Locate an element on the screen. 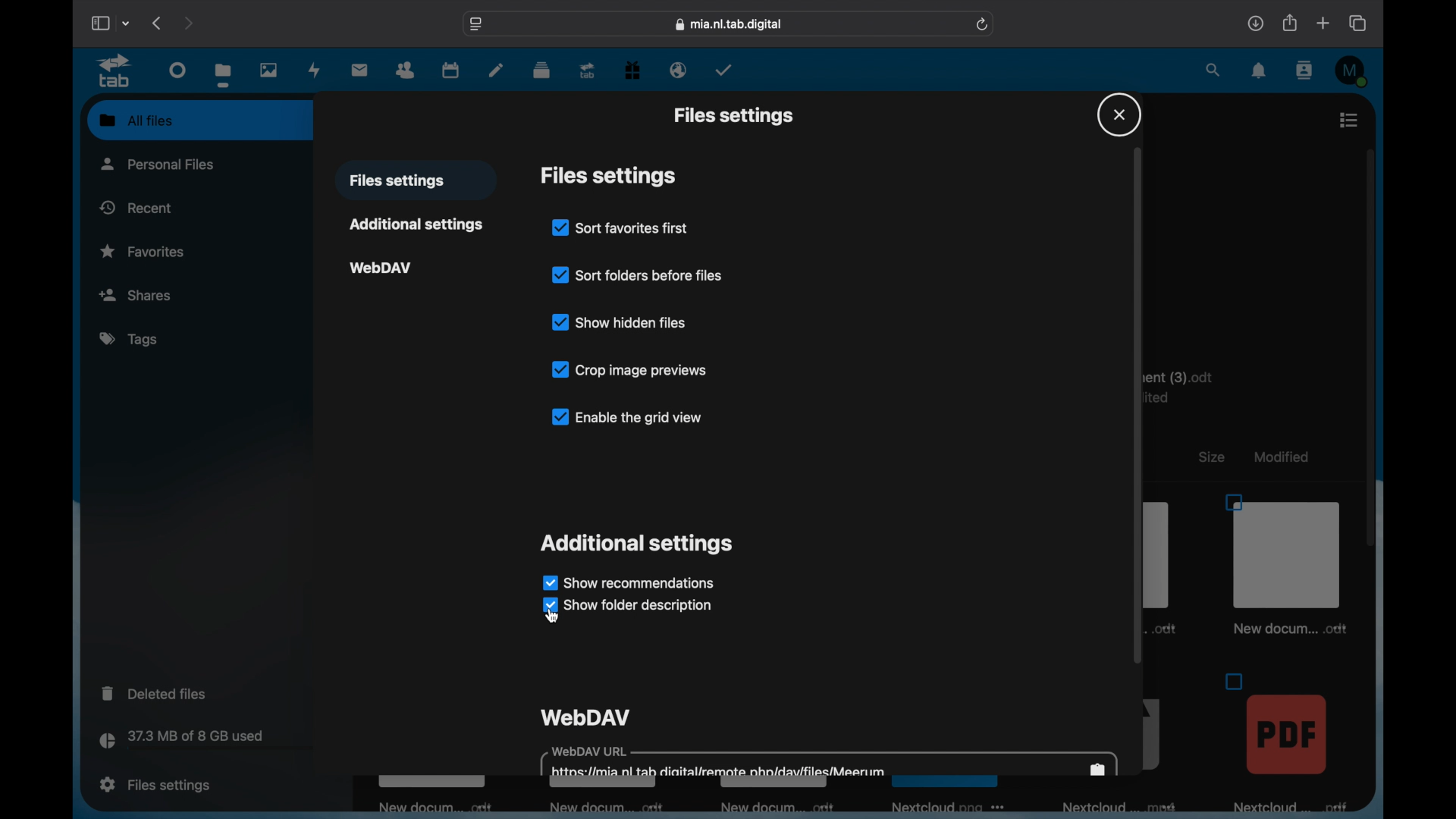 The width and height of the screenshot is (1456, 819). recent is located at coordinates (136, 207).